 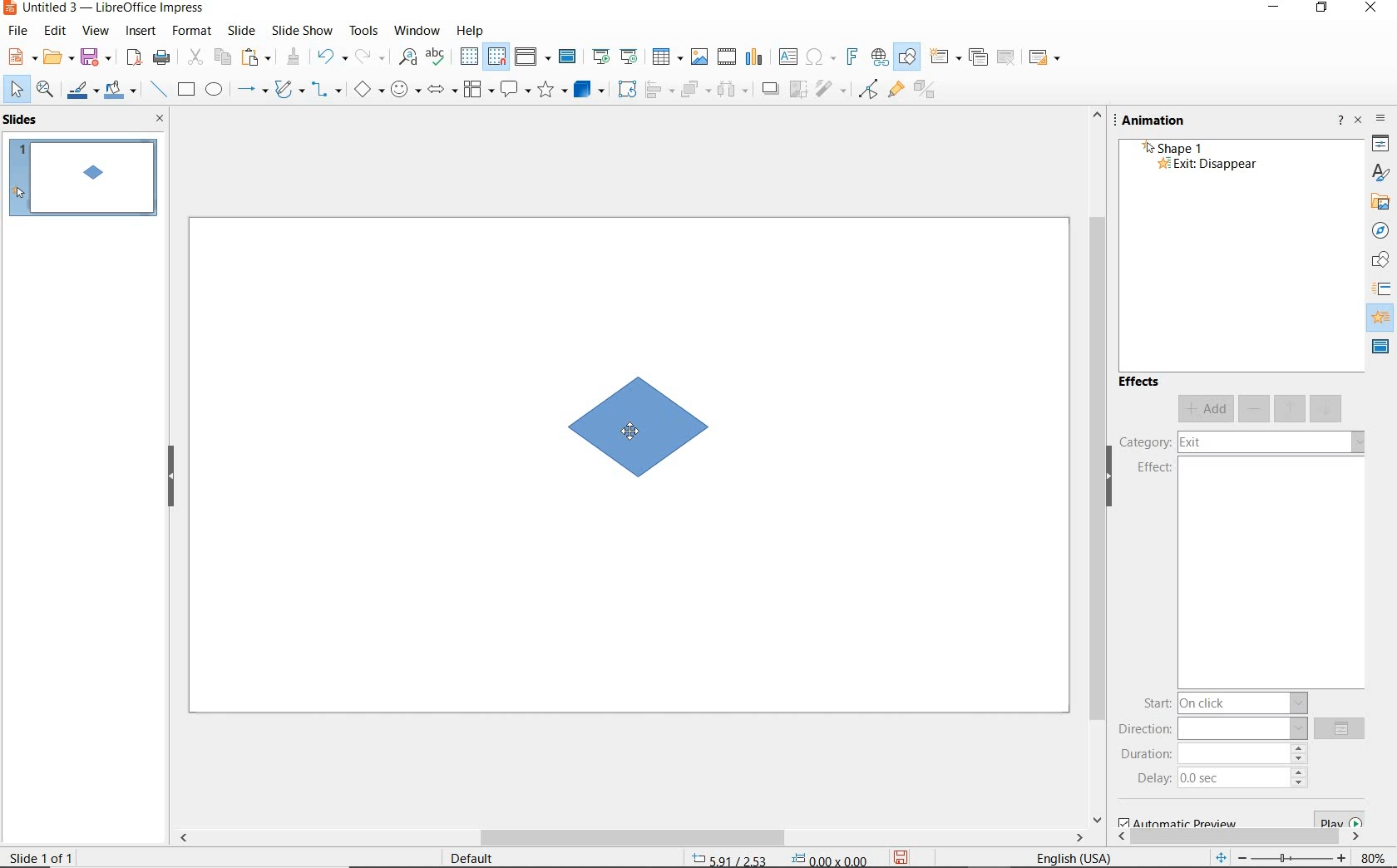 I want to click on flowchart, so click(x=479, y=89).